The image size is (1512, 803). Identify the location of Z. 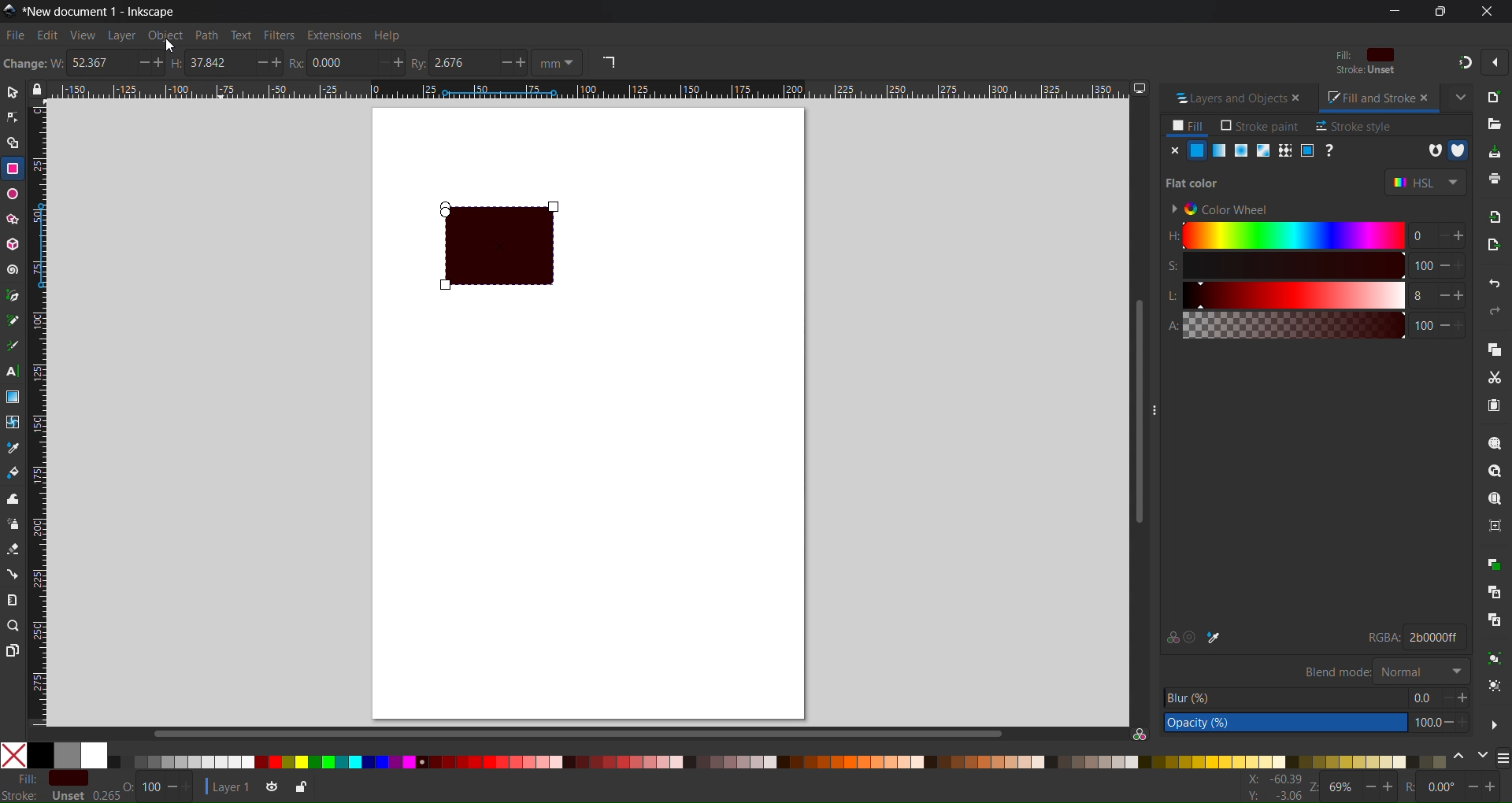
(1314, 789).